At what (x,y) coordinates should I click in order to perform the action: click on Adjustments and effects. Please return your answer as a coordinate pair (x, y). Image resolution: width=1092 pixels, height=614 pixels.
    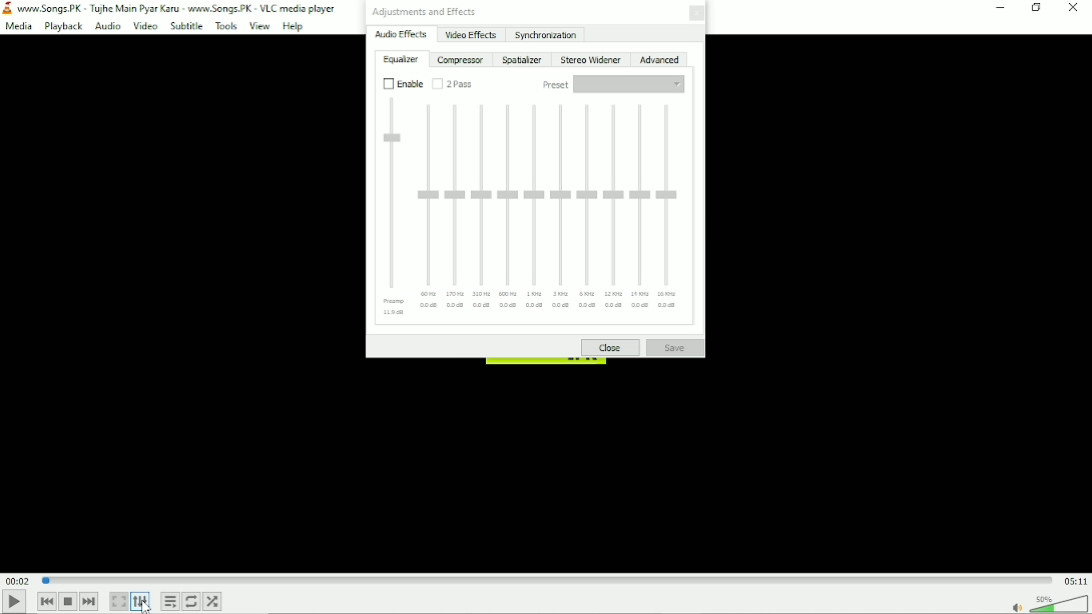
    Looking at the image, I should click on (426, 13).